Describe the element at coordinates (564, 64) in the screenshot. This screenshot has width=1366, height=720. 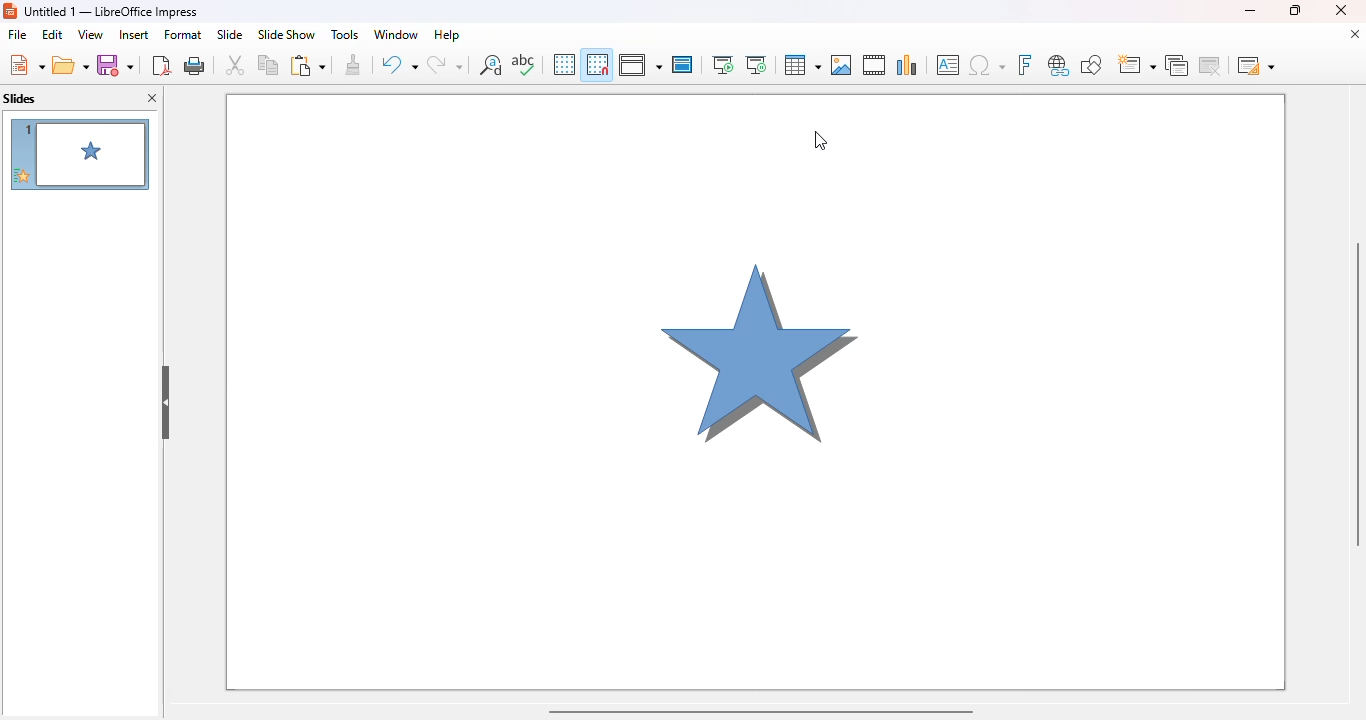
I see `display grid` at that location.